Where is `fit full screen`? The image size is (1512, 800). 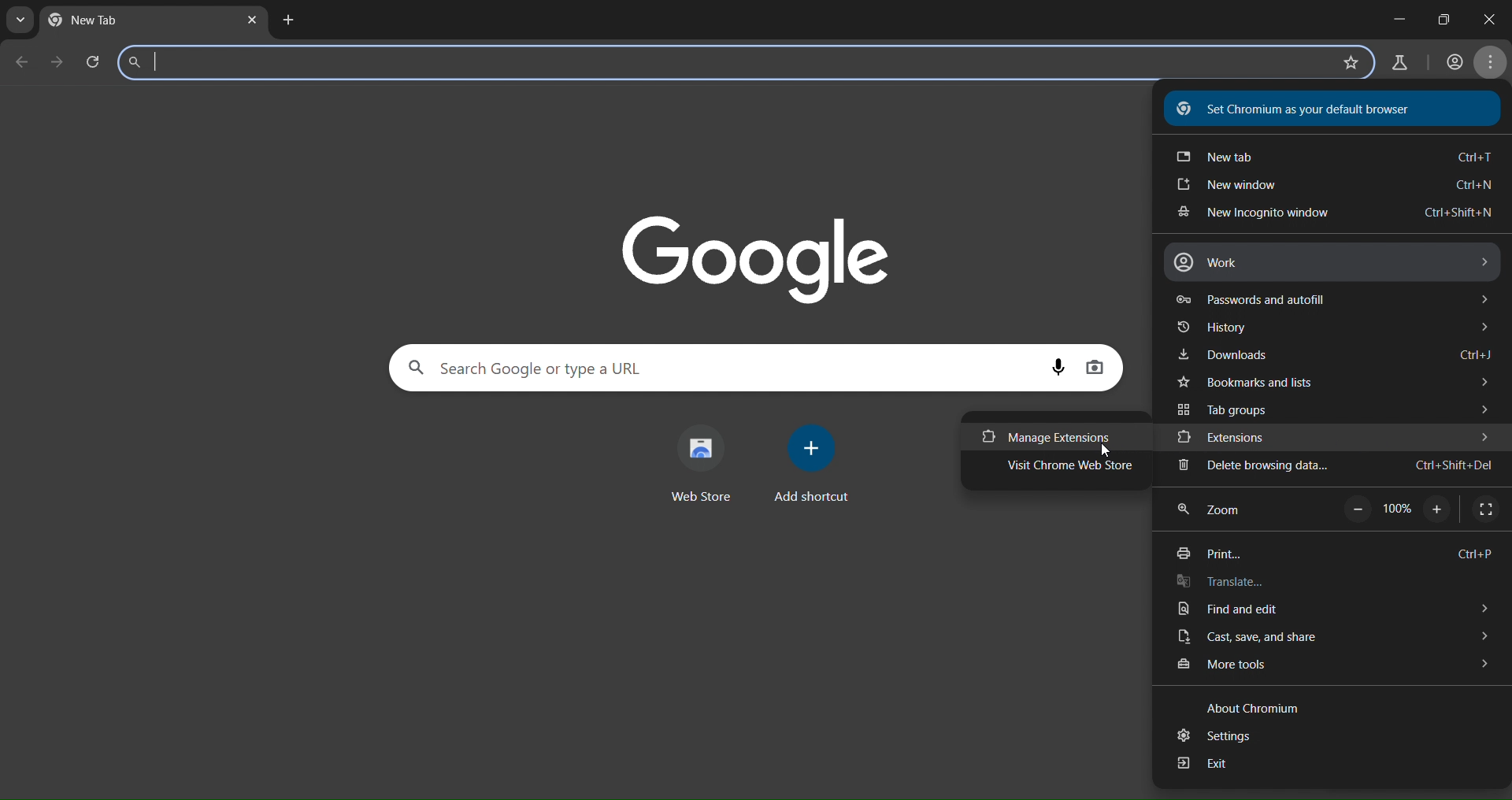 fit full screen is located at coordinates (1487, 510).